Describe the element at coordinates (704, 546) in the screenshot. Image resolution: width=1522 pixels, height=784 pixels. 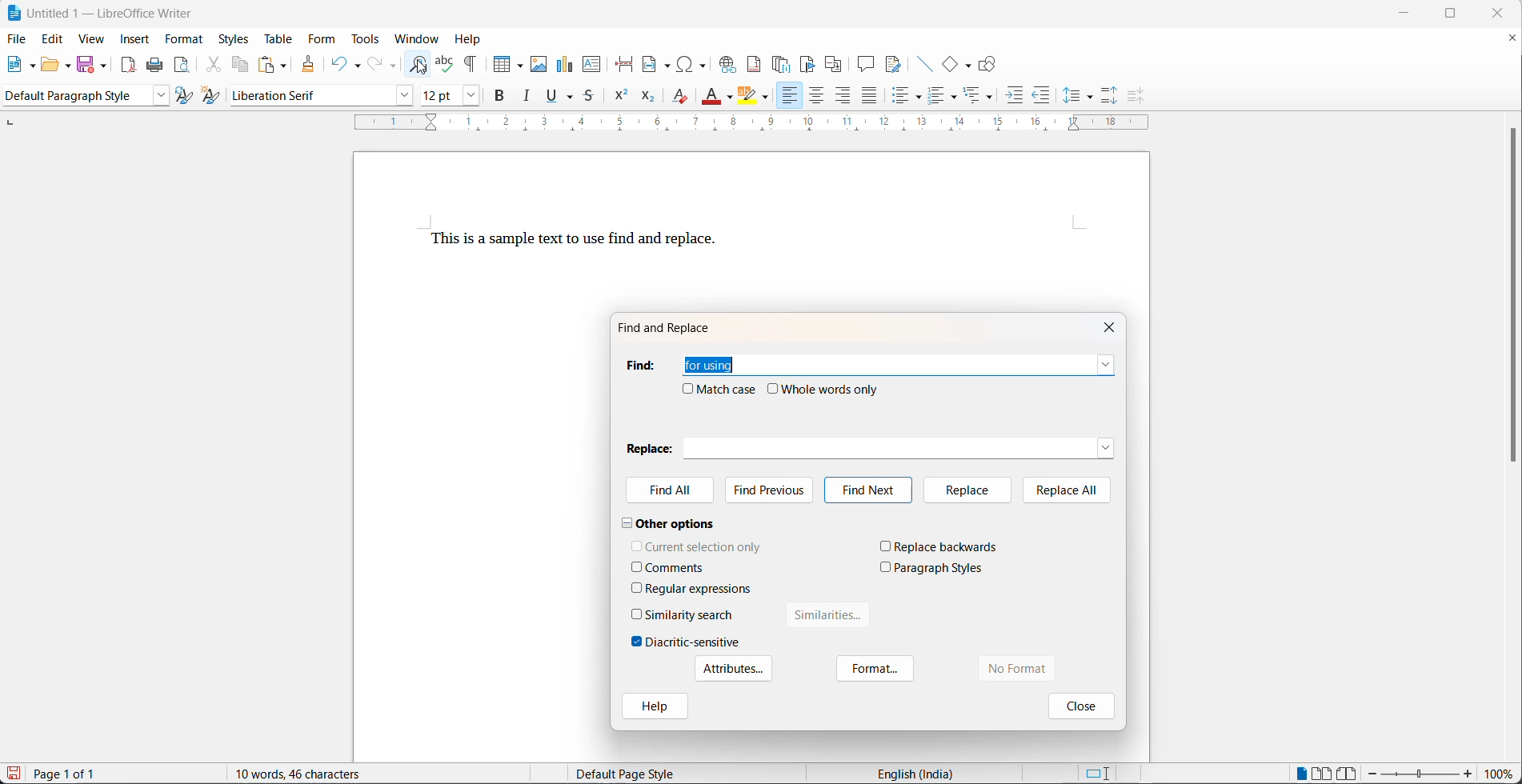
I see `current selection only` at that location.